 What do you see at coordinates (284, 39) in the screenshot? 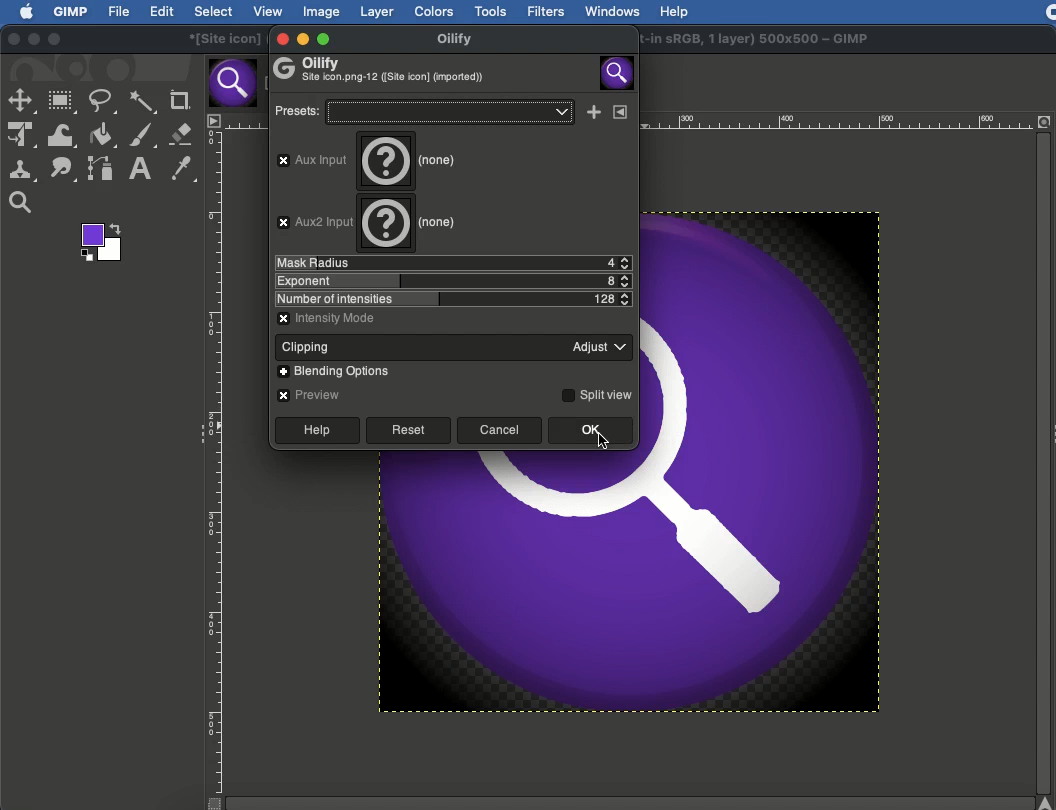
I see `Close` at bounding box center [284, 39].